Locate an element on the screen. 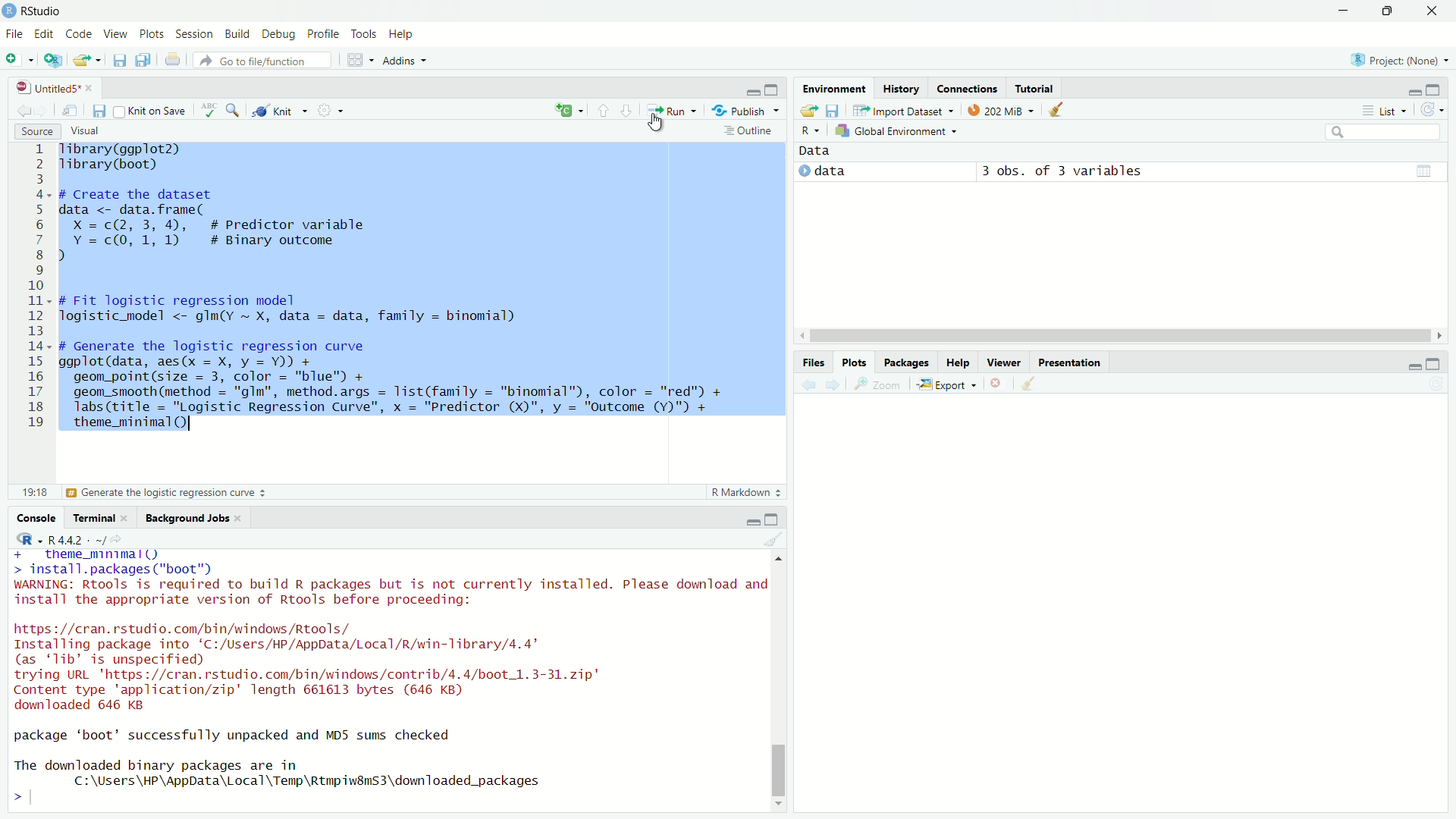  maximize is located at coordinates (771, 519).